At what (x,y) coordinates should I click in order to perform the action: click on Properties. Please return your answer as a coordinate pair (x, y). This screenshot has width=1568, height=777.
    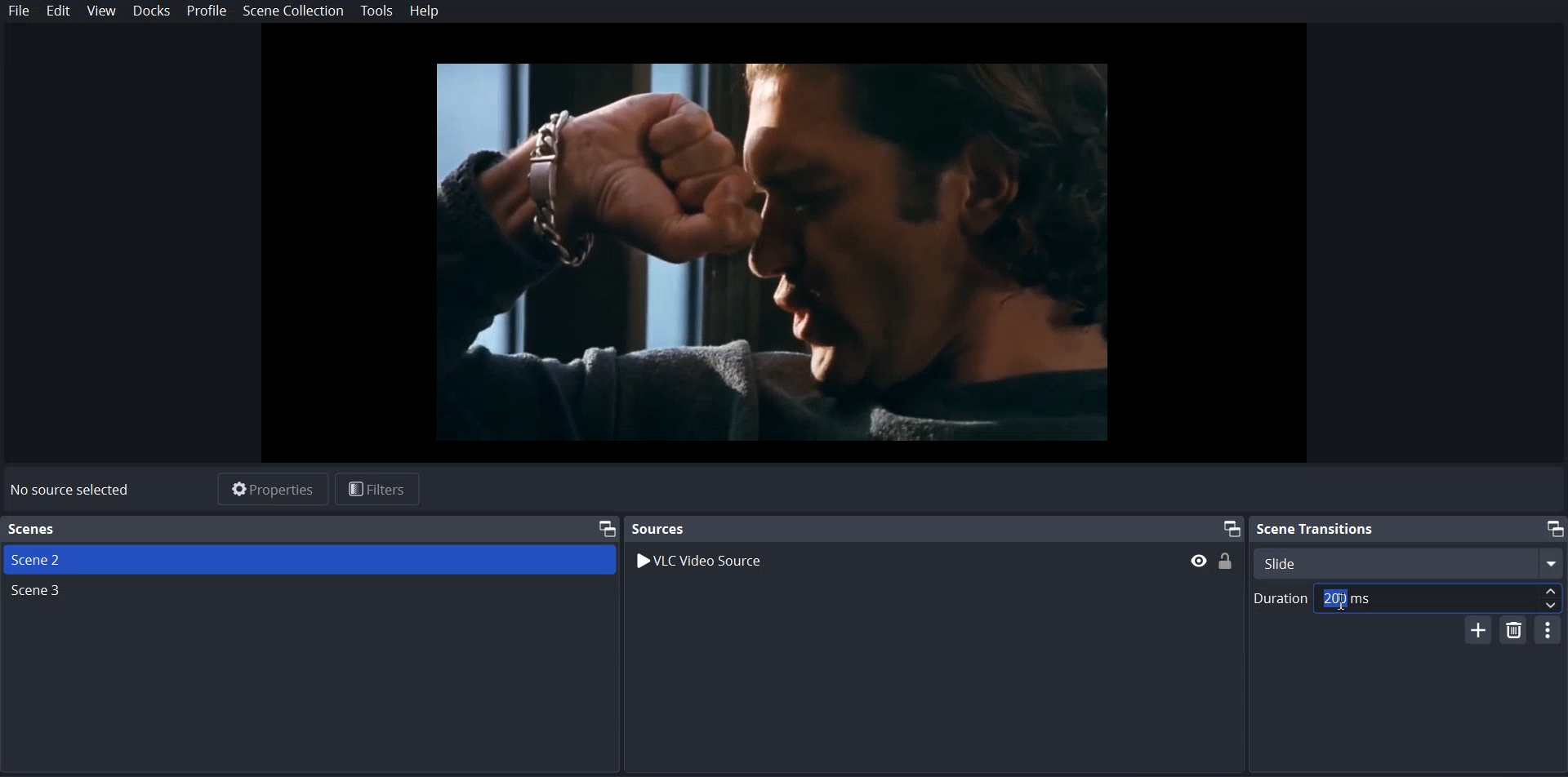
    Looking at the image, I should click on (273, 490).